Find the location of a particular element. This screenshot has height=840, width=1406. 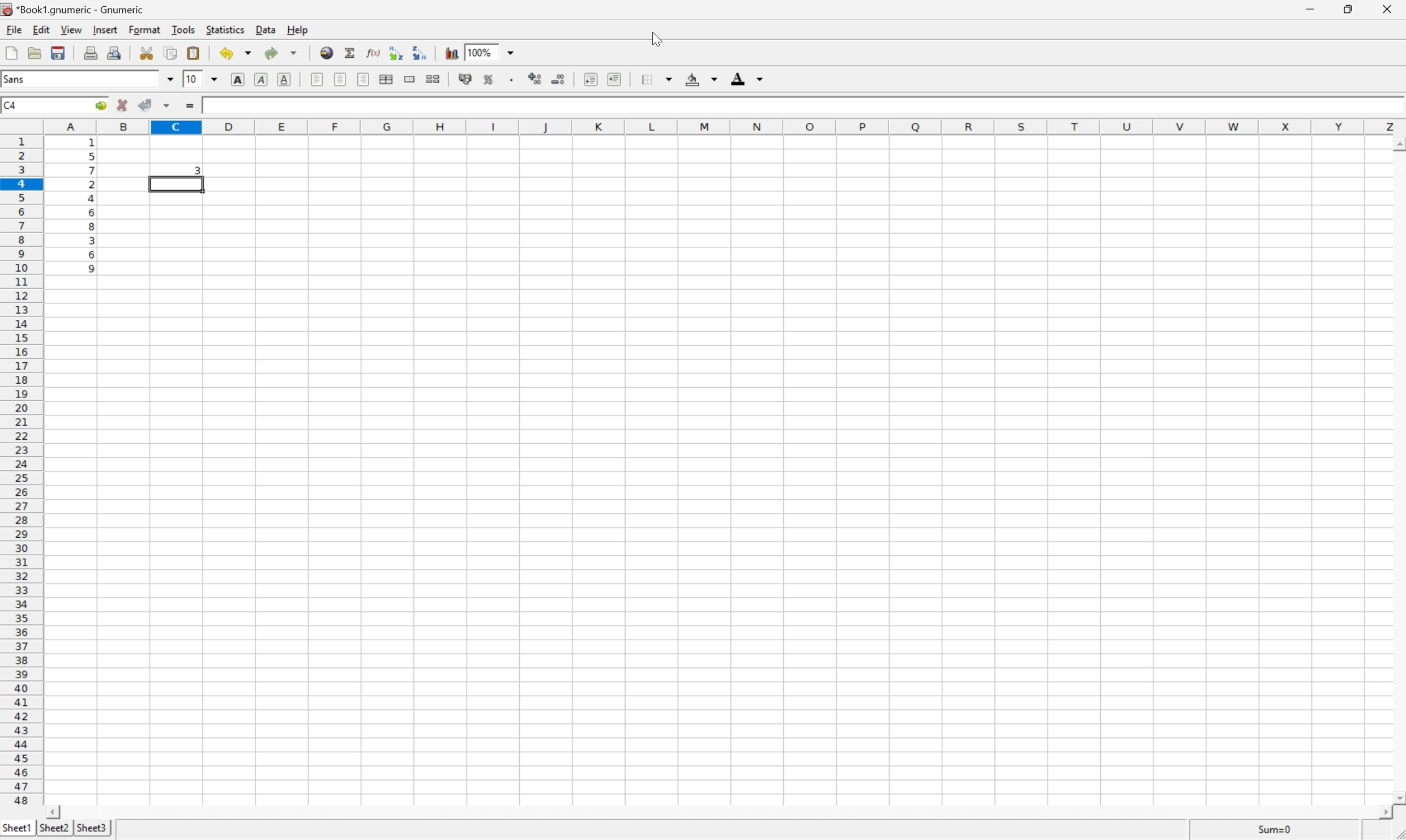

go to is located at coordinates (101, 105).